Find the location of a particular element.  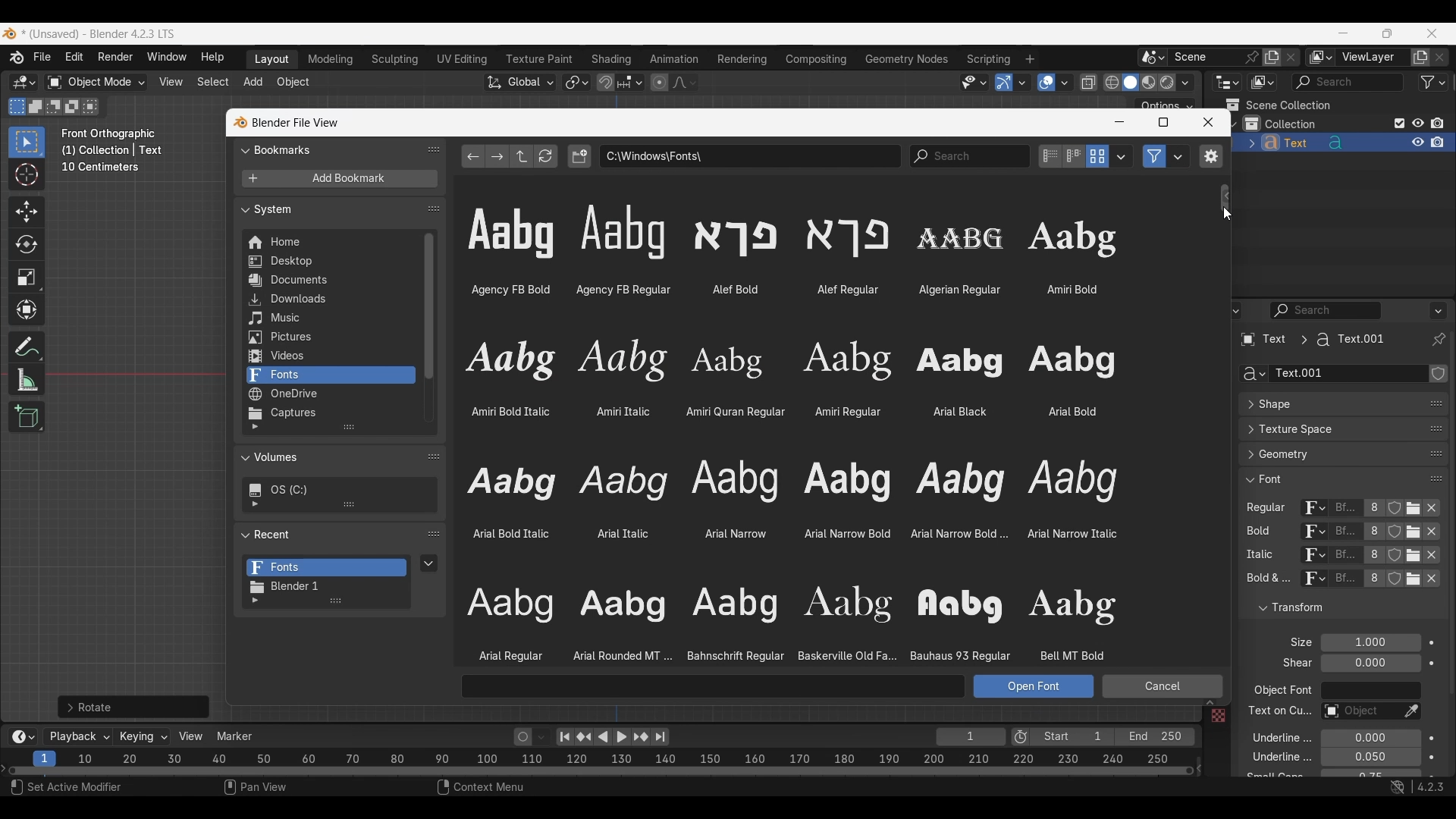

bold is located at coordinates (1255, 534).